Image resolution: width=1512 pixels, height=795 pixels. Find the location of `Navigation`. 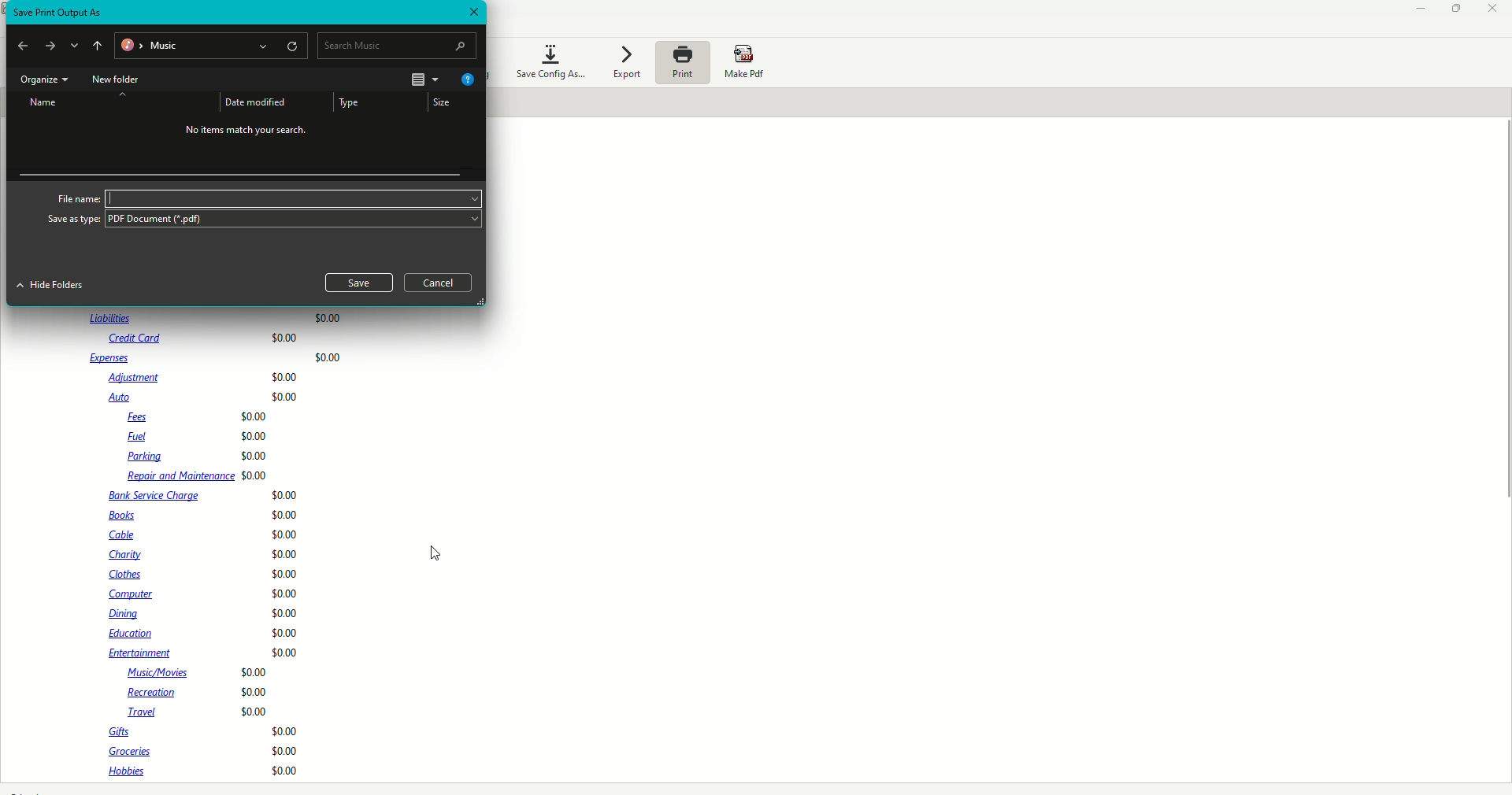

Navigation is located at coordinates (60, 47).